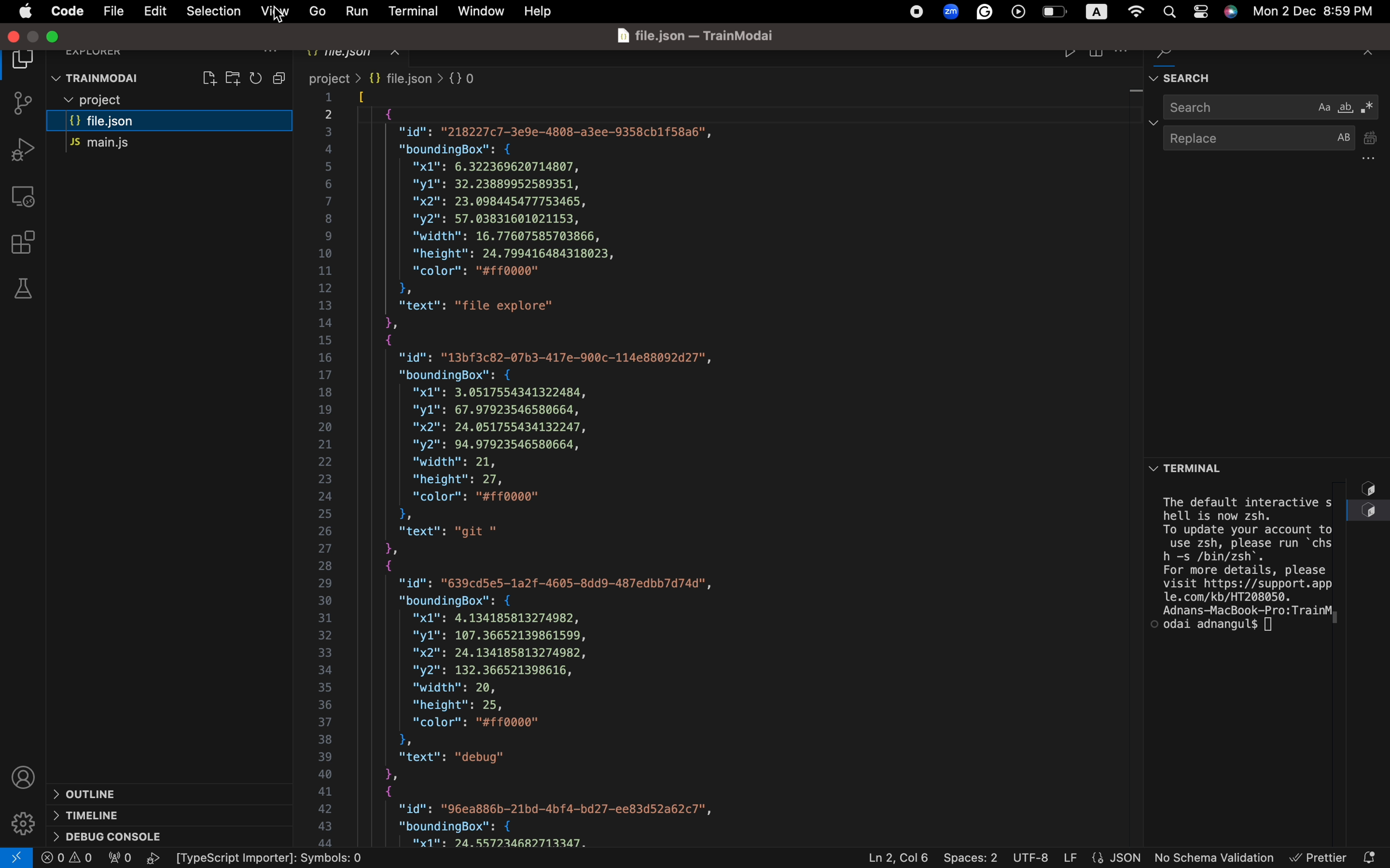  Describe the element at coordinates (732, 468) in the screenshot. I see `file content` at that location.